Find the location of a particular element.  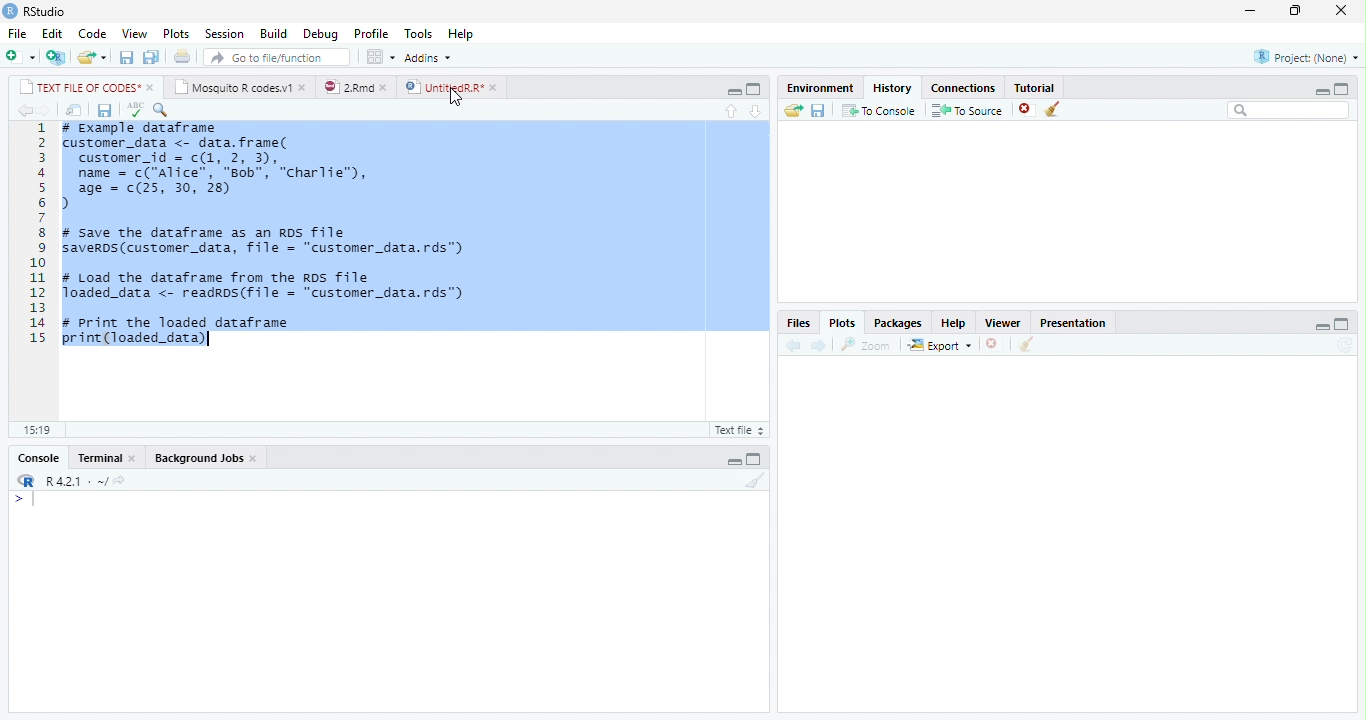

close is located at coordinates (496, 87).